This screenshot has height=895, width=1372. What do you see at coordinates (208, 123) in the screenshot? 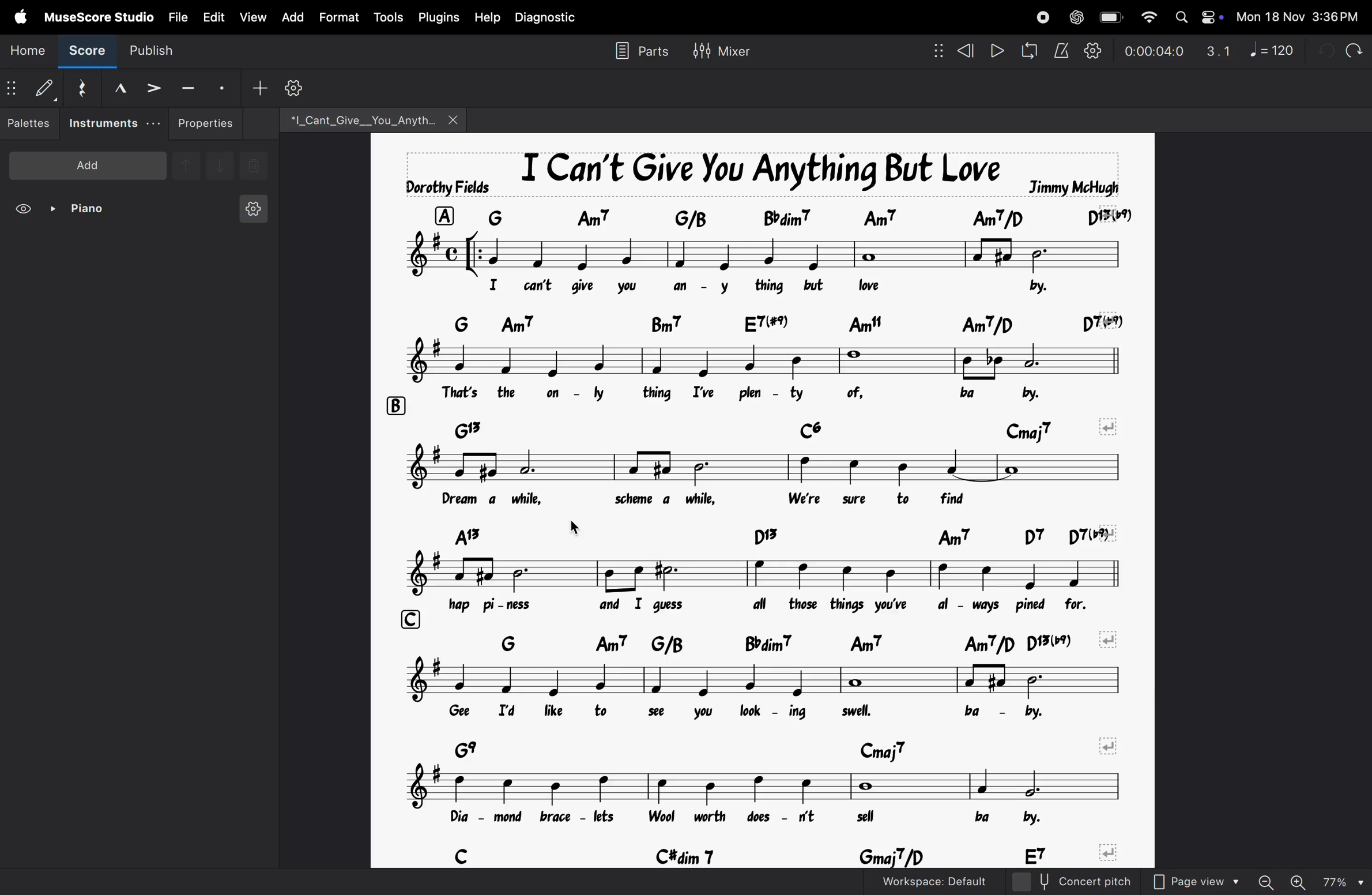
I see `properties` at bounding box center [208, 123].